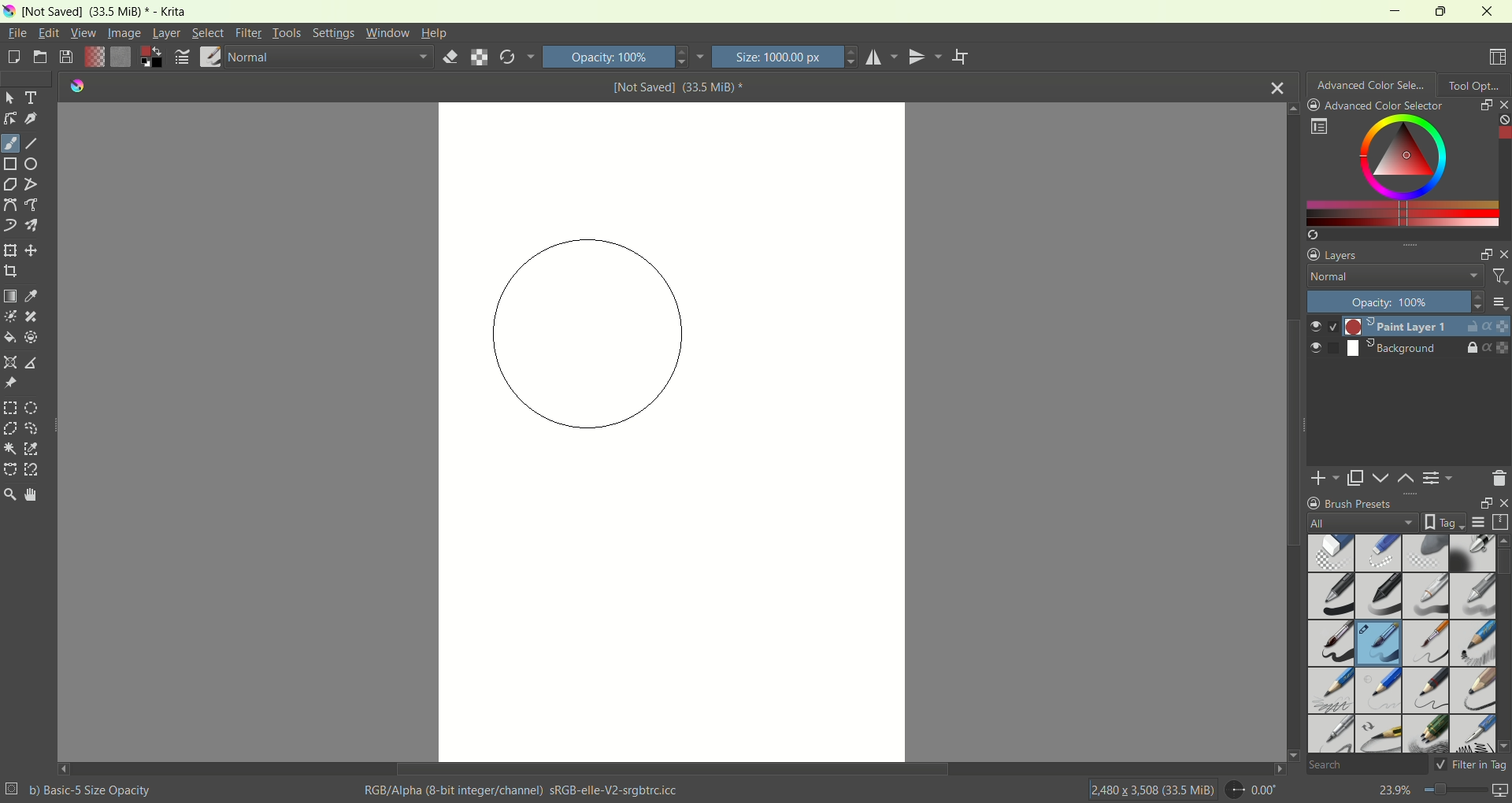 Image resolution: width=1512 pixels, height=803 pixels. Describe the element at coordinates (1497, 348) in the screenshot. I see `properties` at that location.